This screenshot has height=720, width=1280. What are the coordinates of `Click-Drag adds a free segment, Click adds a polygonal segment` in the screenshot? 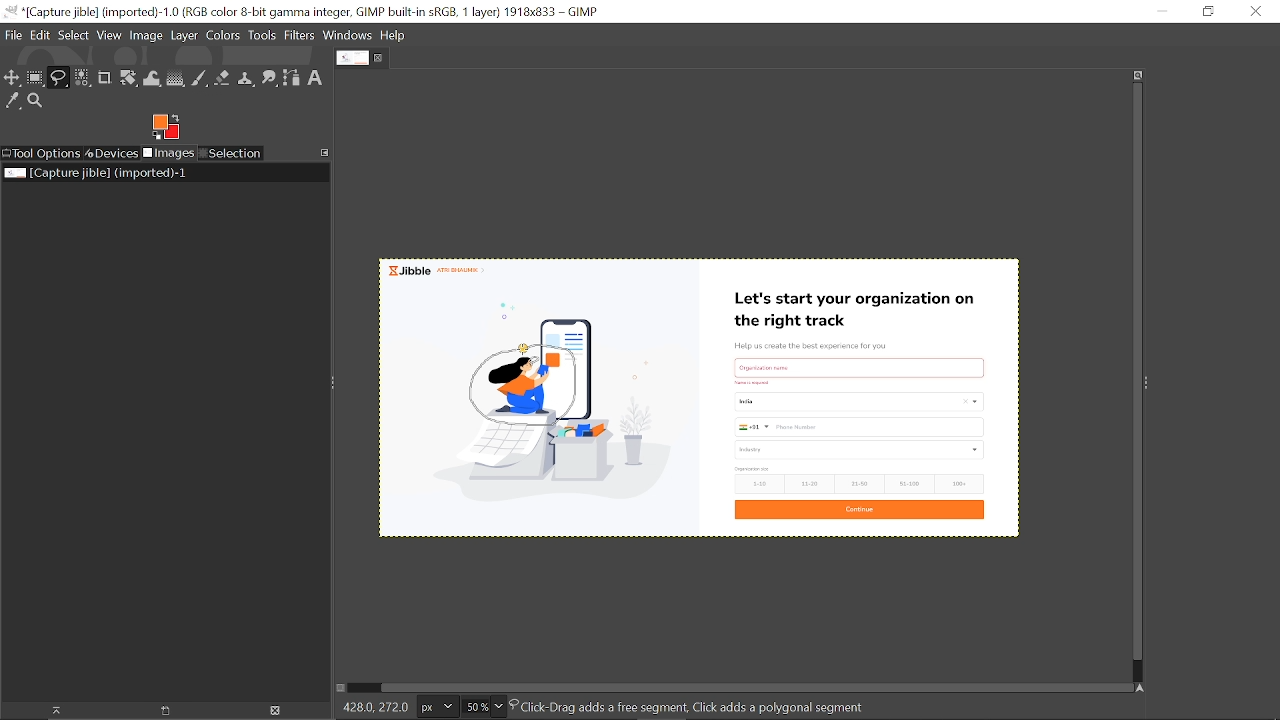 It's located at (711, 707).